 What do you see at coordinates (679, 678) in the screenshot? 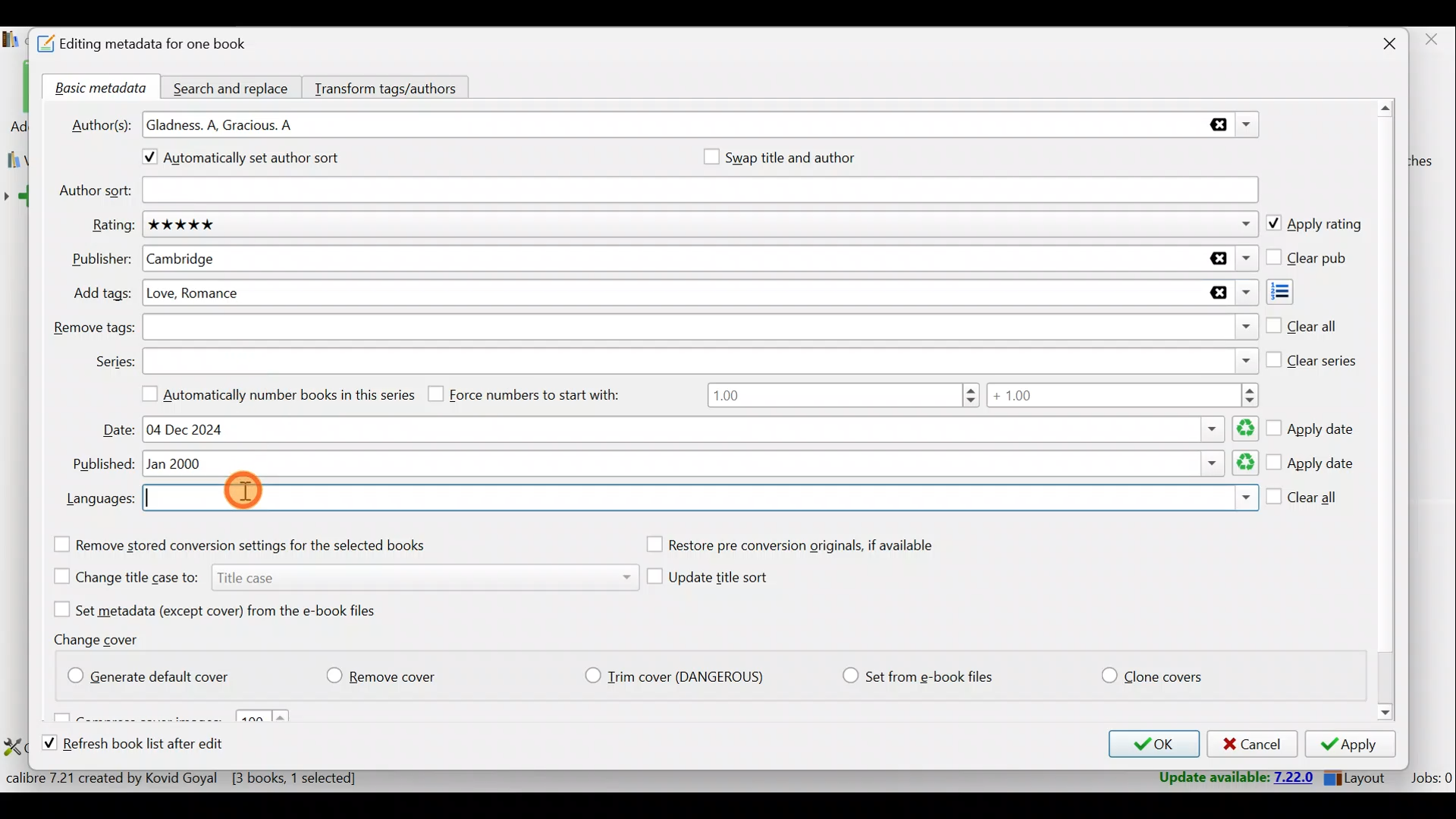
I see `Trim cover (Dangerious)` at bounding box center [679, 678].